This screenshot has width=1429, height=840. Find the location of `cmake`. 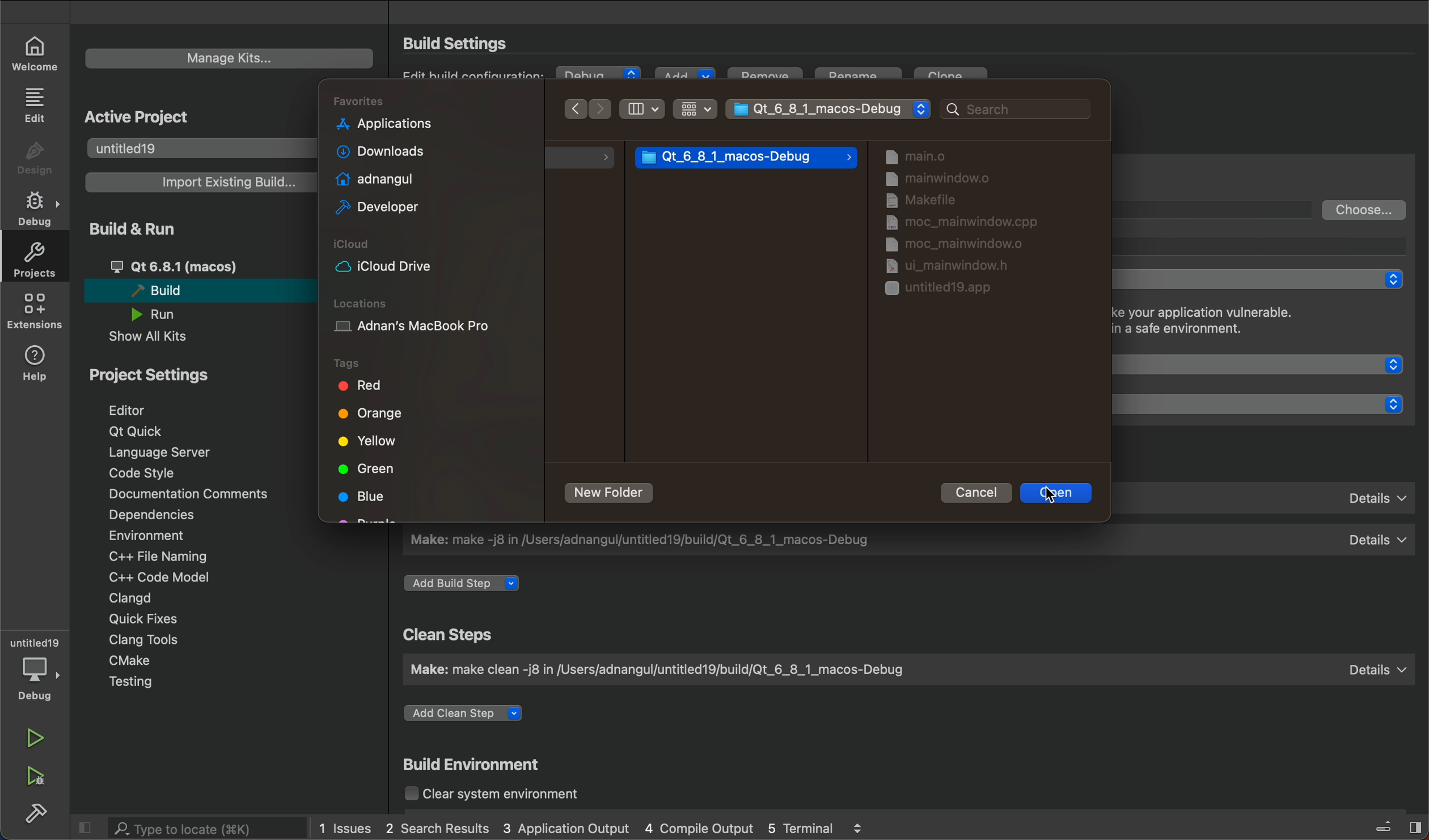

cmake is located at coordinates (137, 662).